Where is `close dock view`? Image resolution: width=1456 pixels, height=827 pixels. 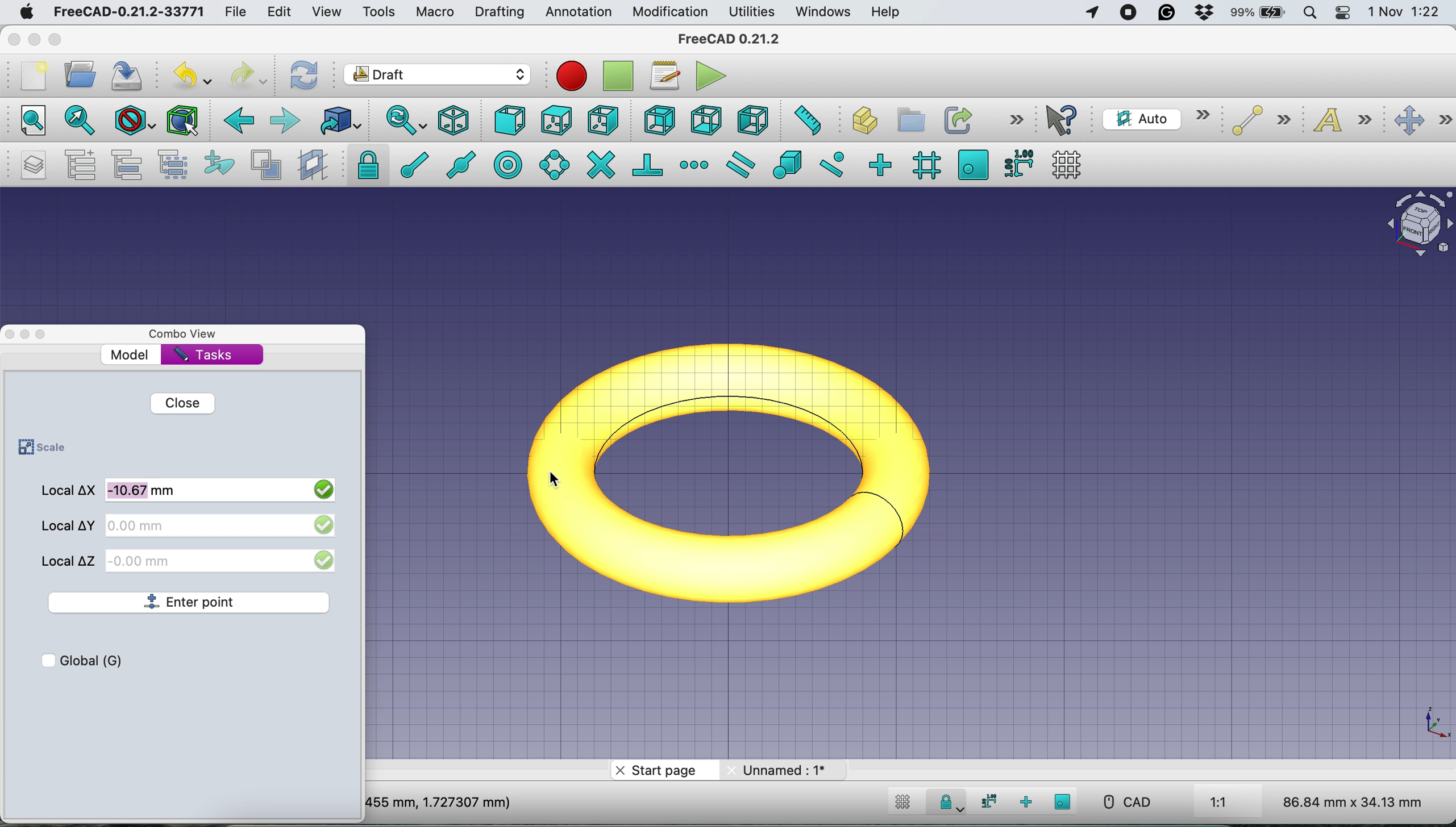 close dock view is located at coordinates (9, 335).